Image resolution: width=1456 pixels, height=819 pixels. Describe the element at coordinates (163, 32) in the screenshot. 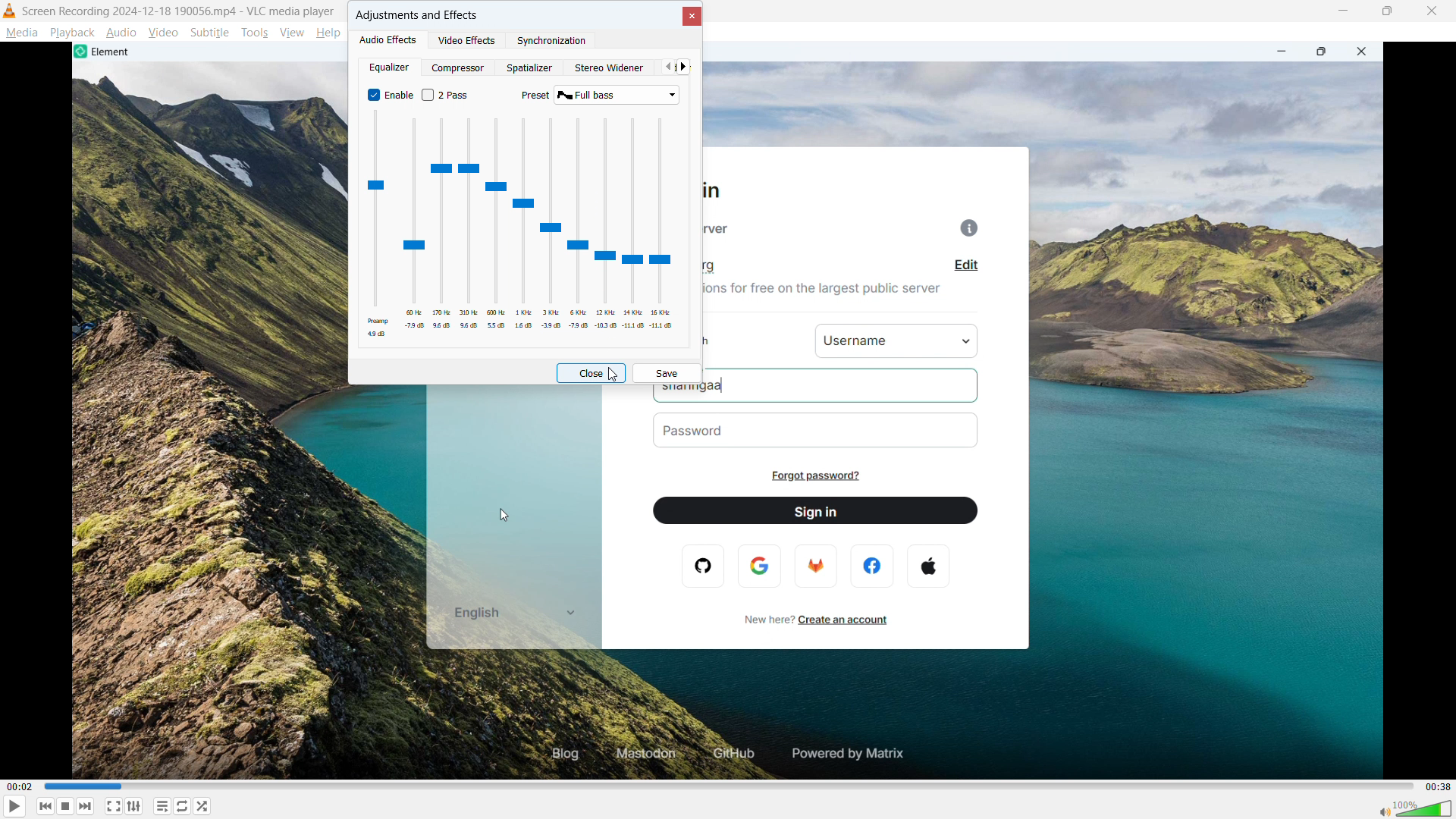

I see `Video ` at that location.